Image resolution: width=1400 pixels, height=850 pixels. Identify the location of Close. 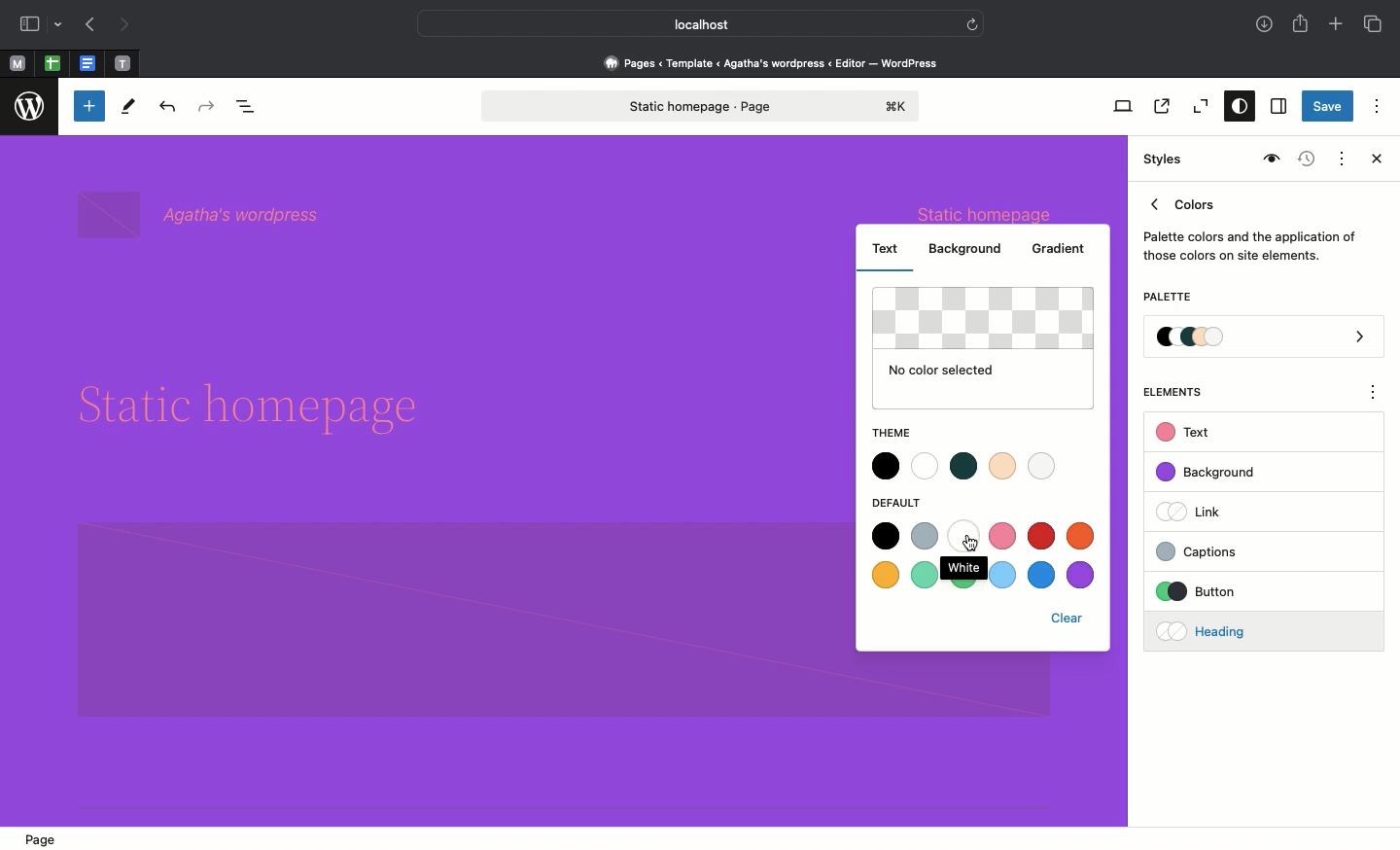
(1373, 160).